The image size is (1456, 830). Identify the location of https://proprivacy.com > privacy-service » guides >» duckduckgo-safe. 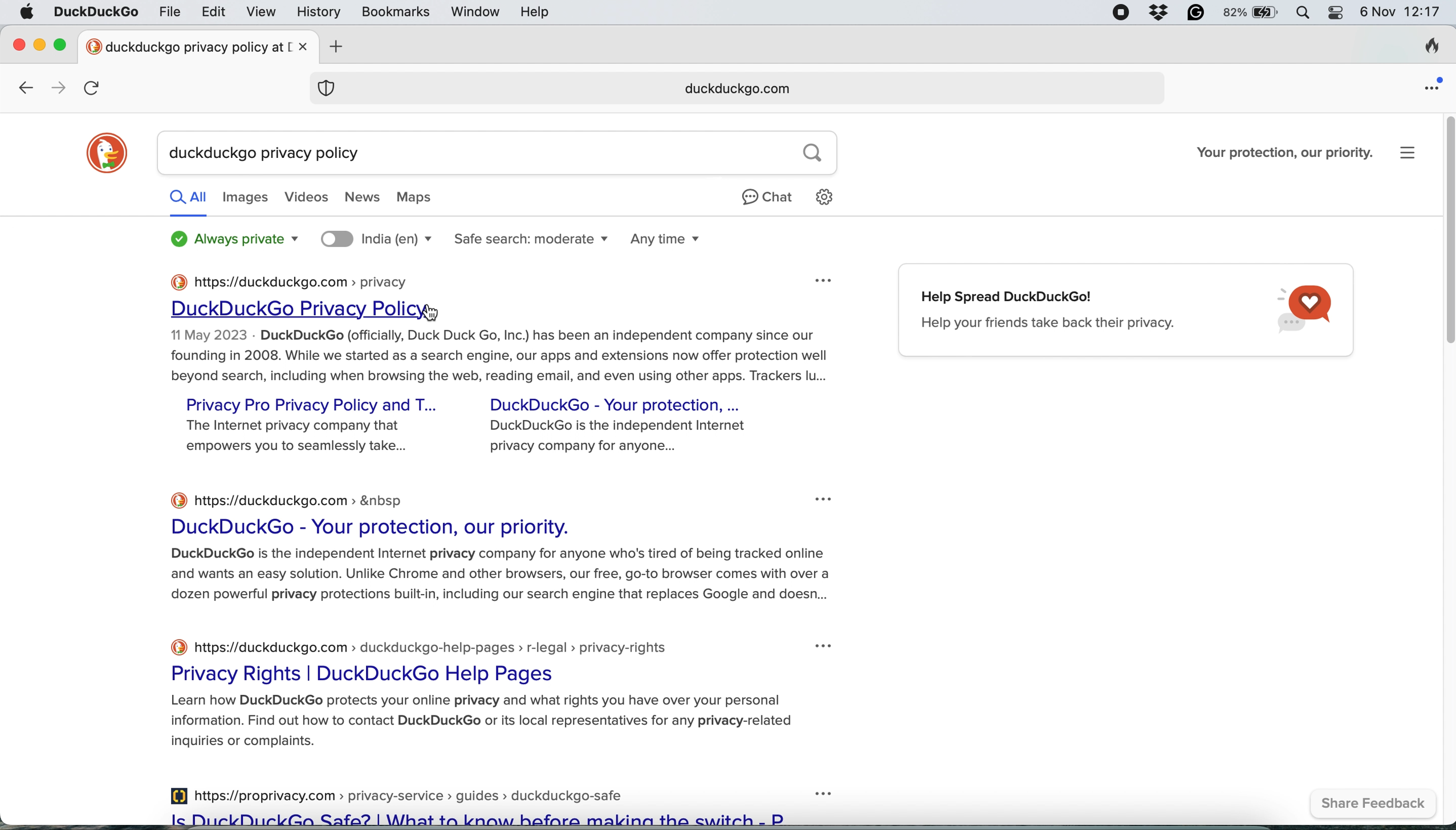
(404, 792).